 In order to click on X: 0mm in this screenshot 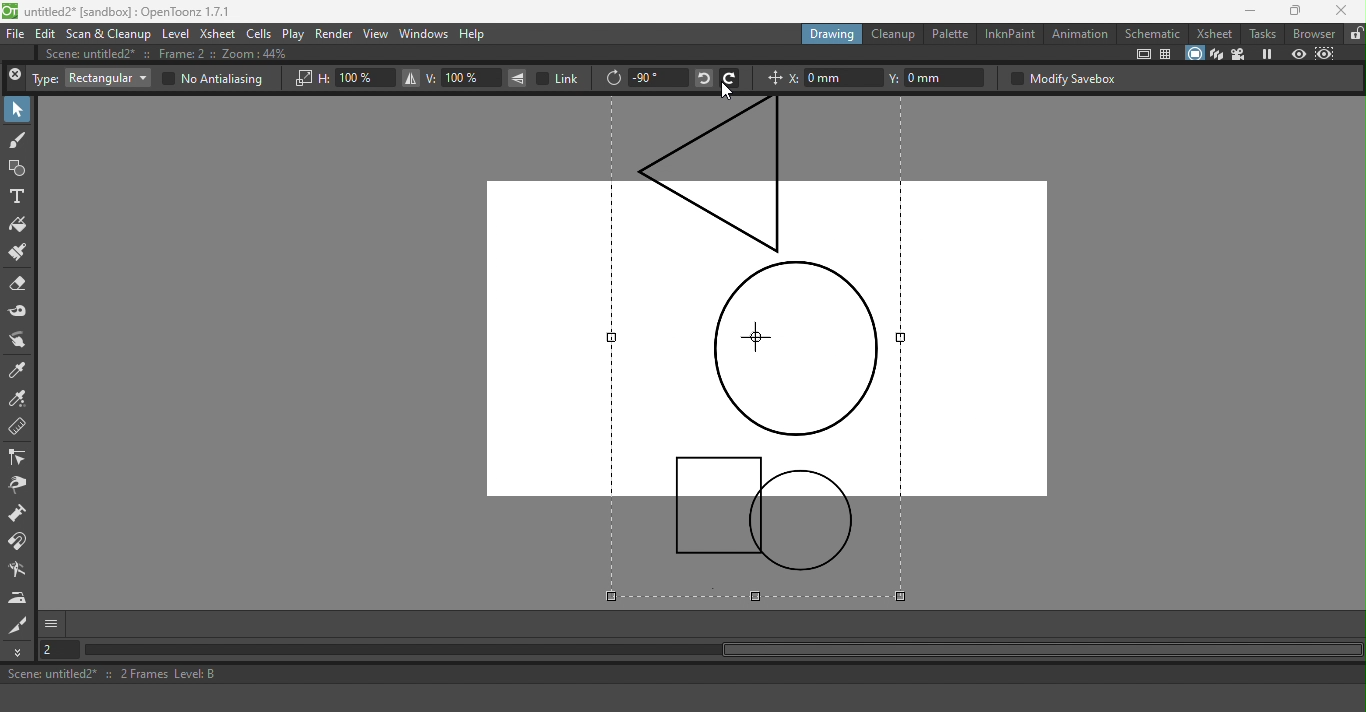, I will do `click(835, 78)`.